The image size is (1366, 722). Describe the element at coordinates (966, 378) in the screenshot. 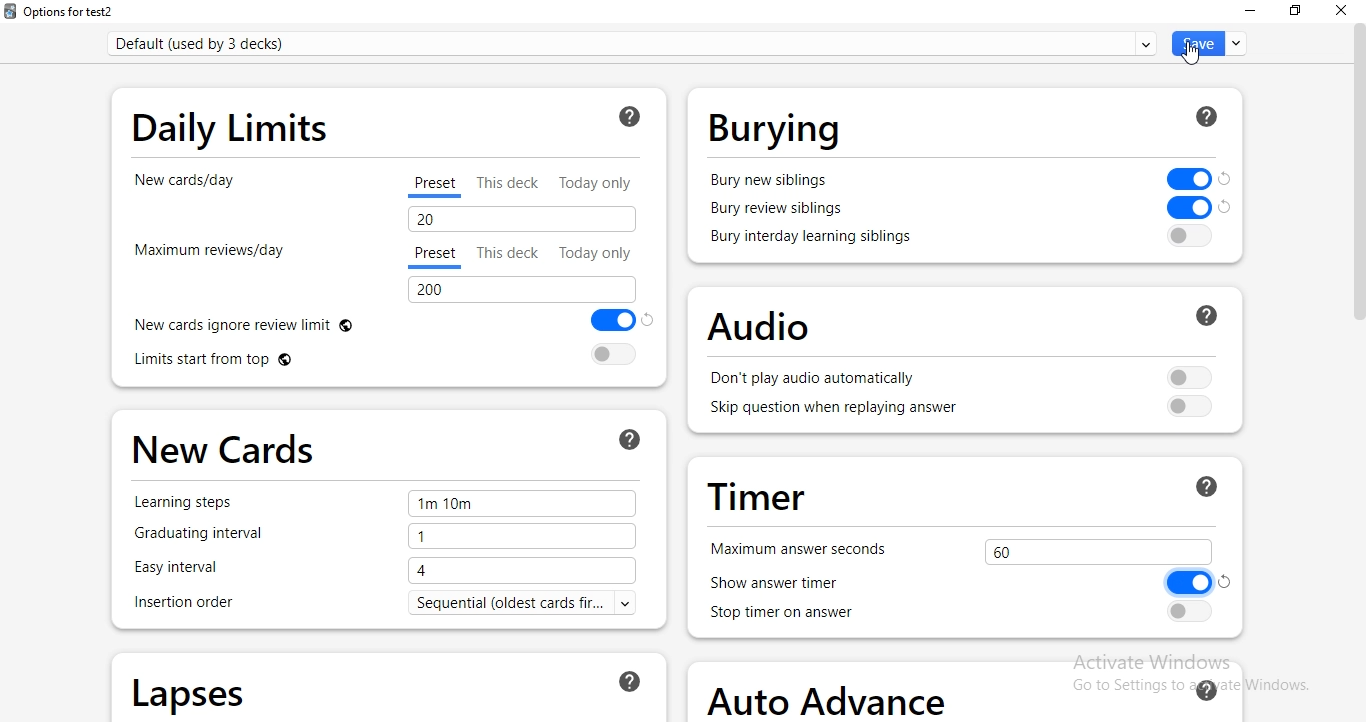

I see `don't play audio automatically` at that location.